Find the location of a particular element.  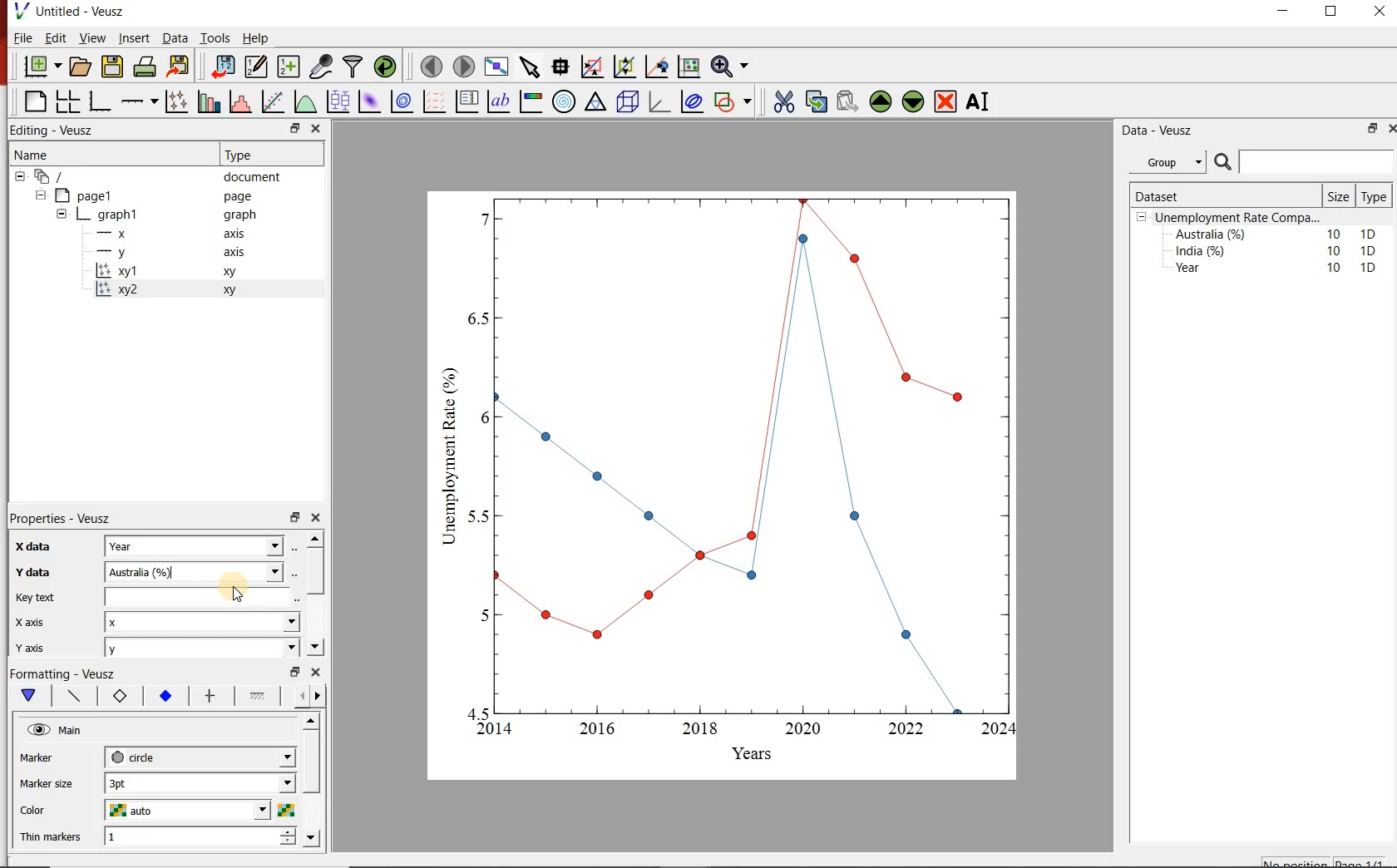

‘document is located at coordinates (155, 175).